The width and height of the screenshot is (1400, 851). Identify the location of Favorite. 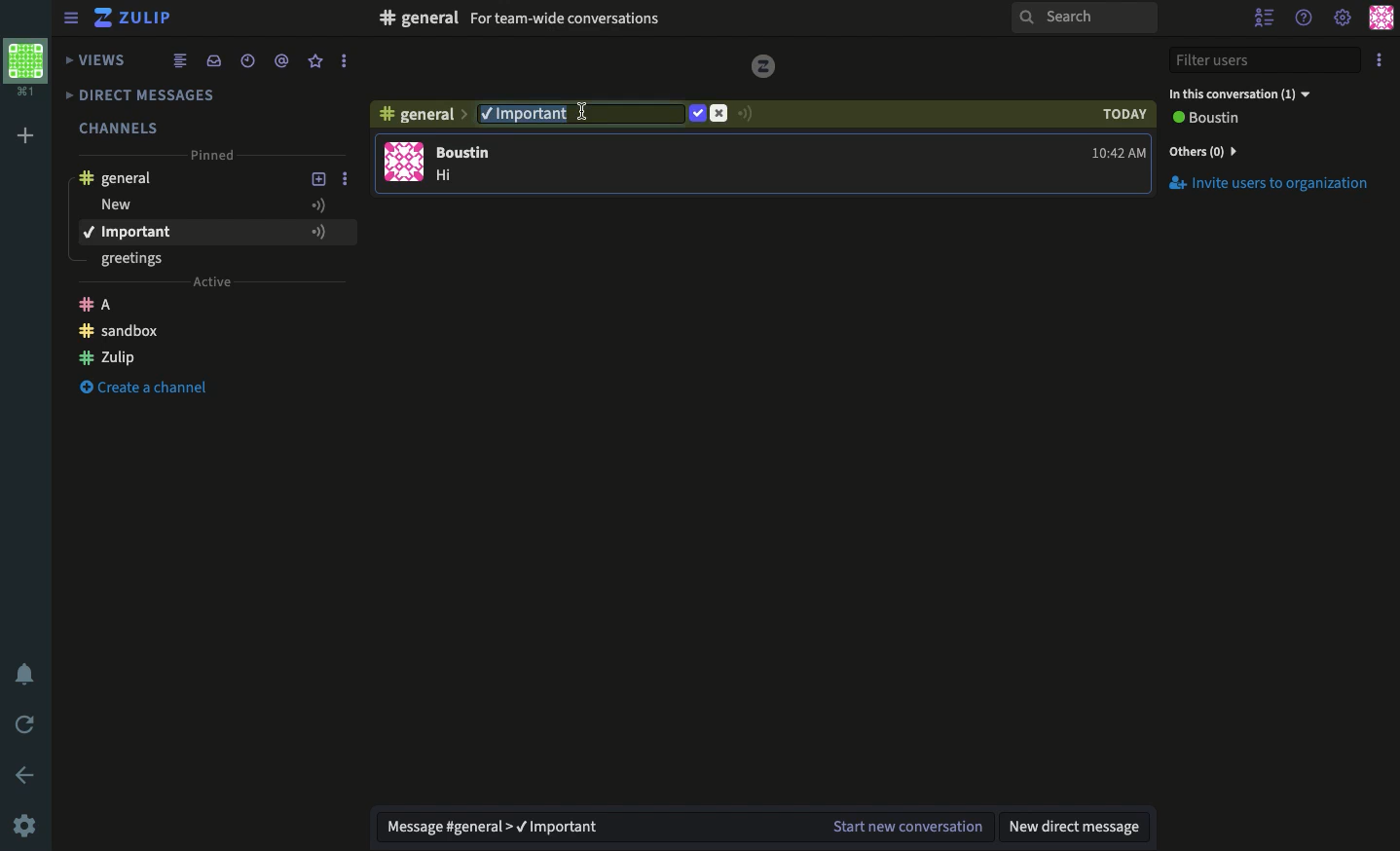
(316, 61).